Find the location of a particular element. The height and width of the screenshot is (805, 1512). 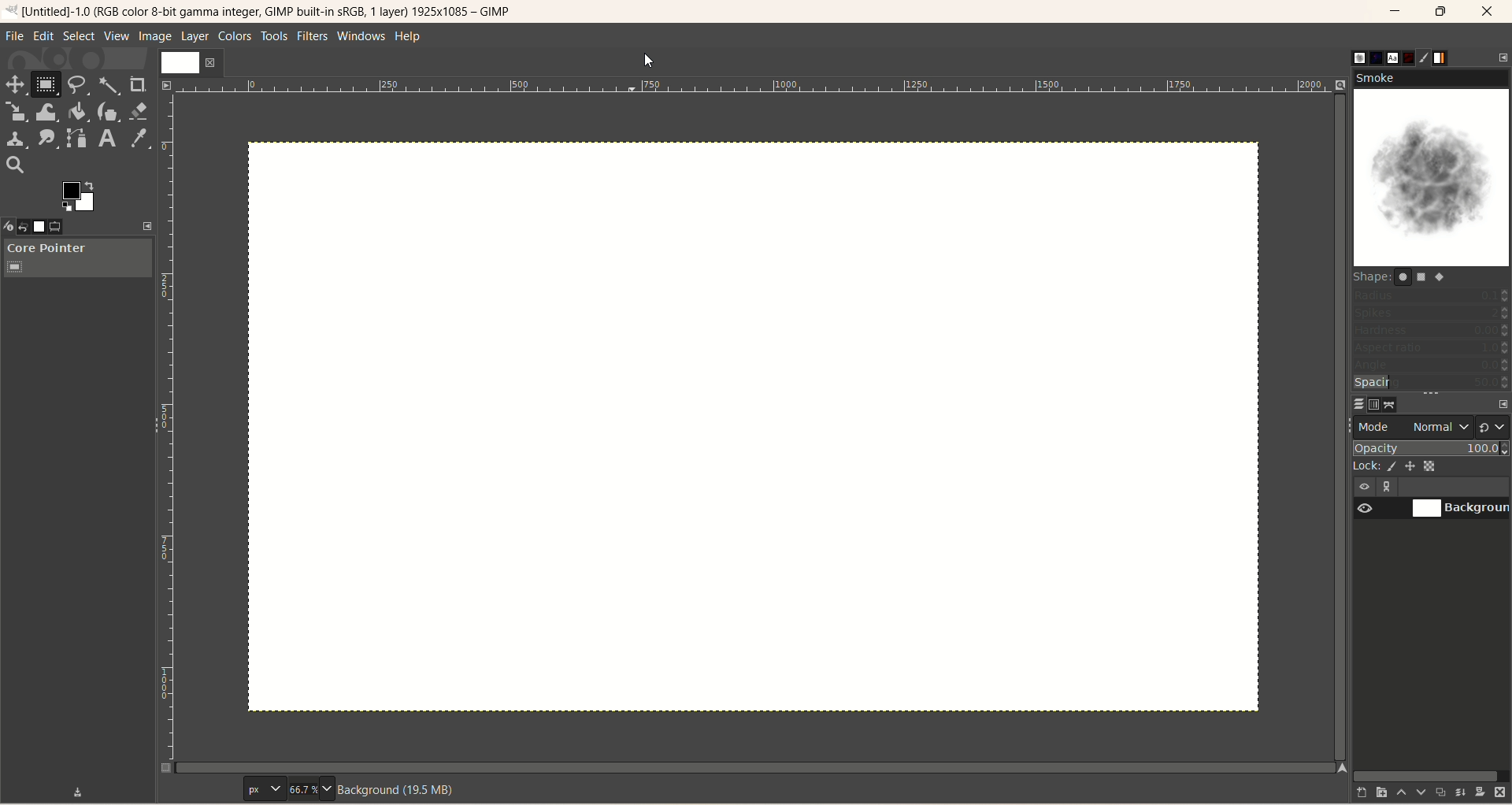

layer1 is located at coordinates (187, 62).